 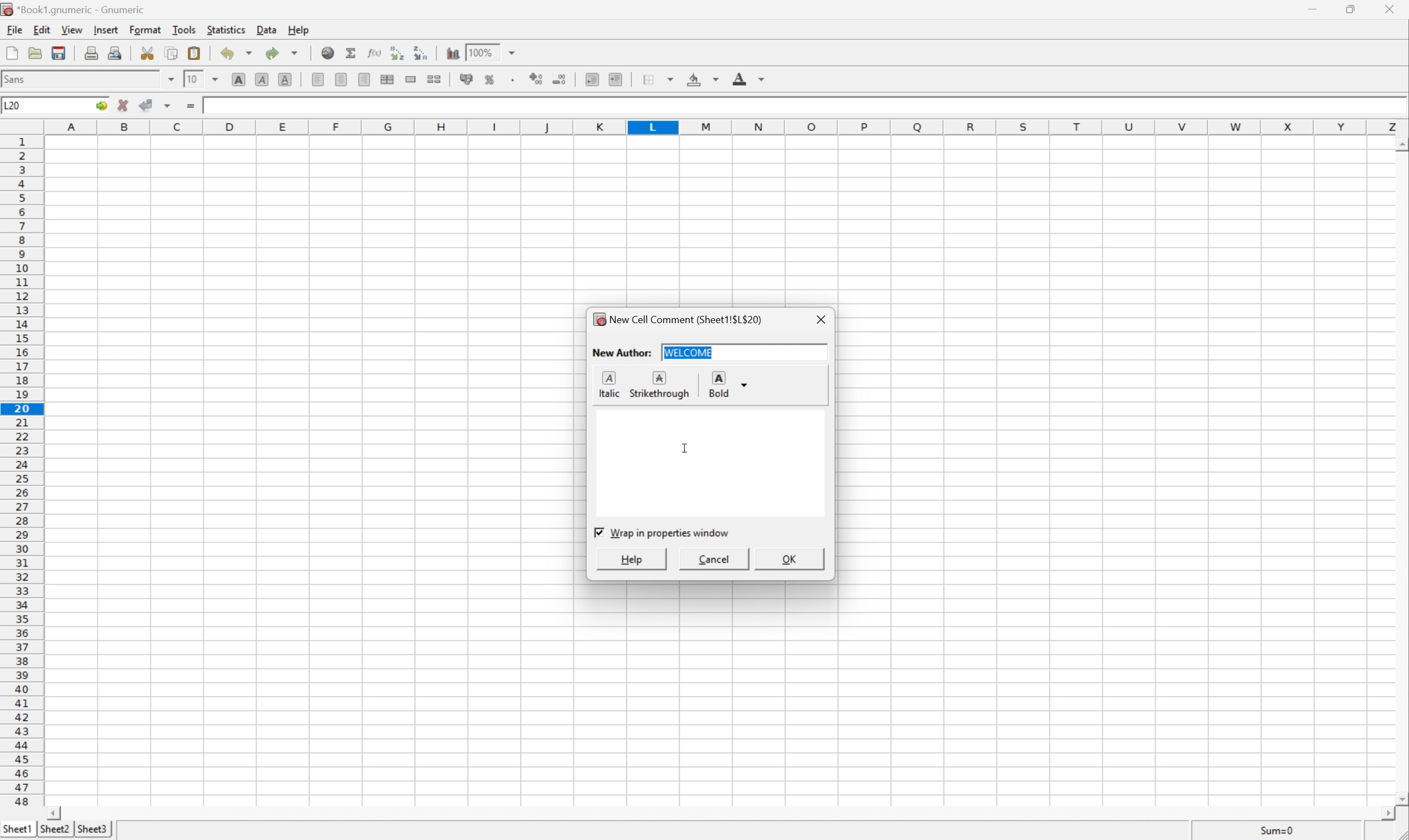 What do you see at coordinates (108, 28) in the screenshot?
I see `Insert` at bounding box center [108, 28].